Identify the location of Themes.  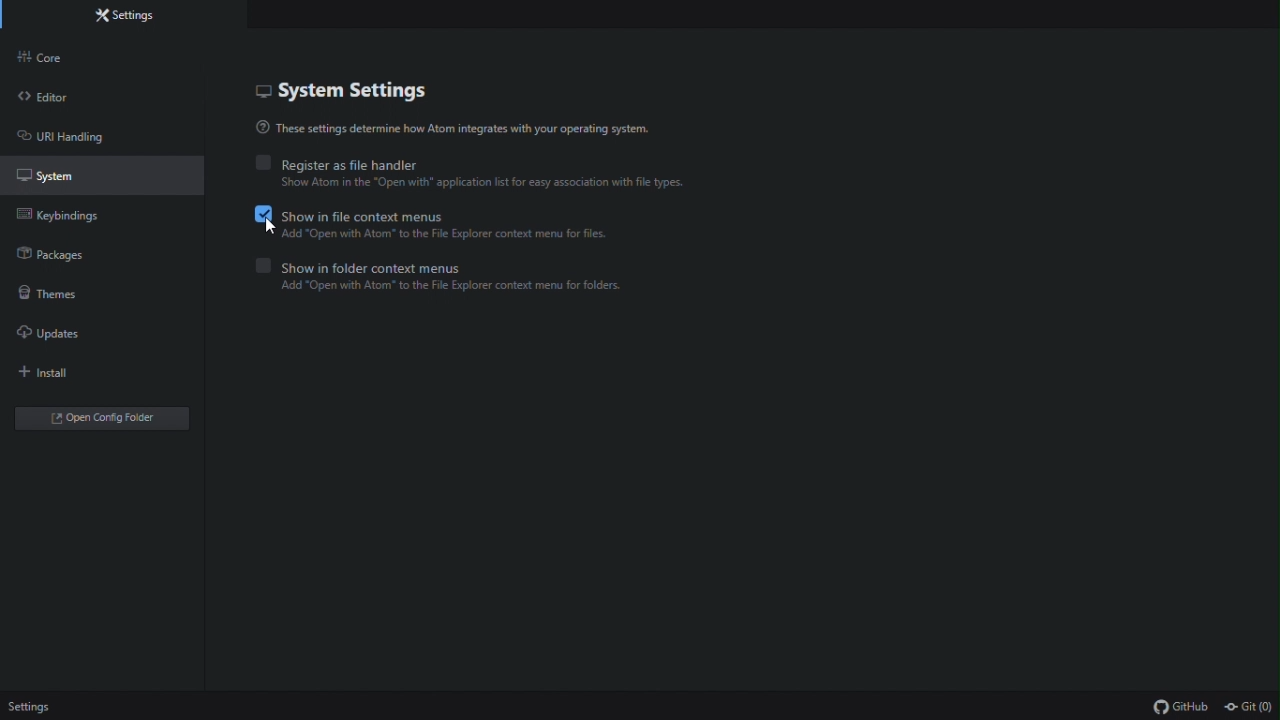
(64, 294).